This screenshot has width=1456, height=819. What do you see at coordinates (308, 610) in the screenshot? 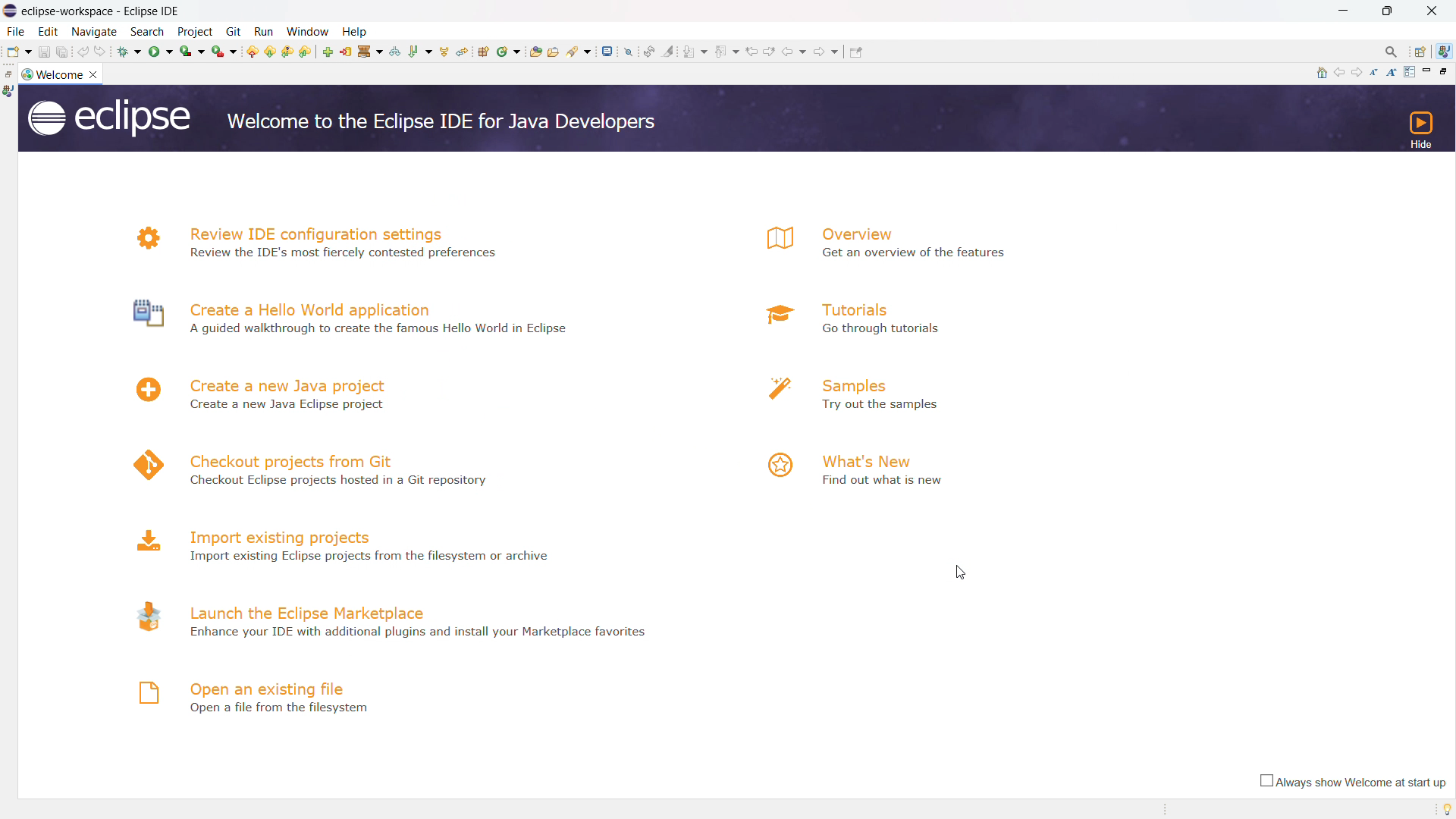
I see `launch the eclipse marketplace` at bounding box center [308, 610].